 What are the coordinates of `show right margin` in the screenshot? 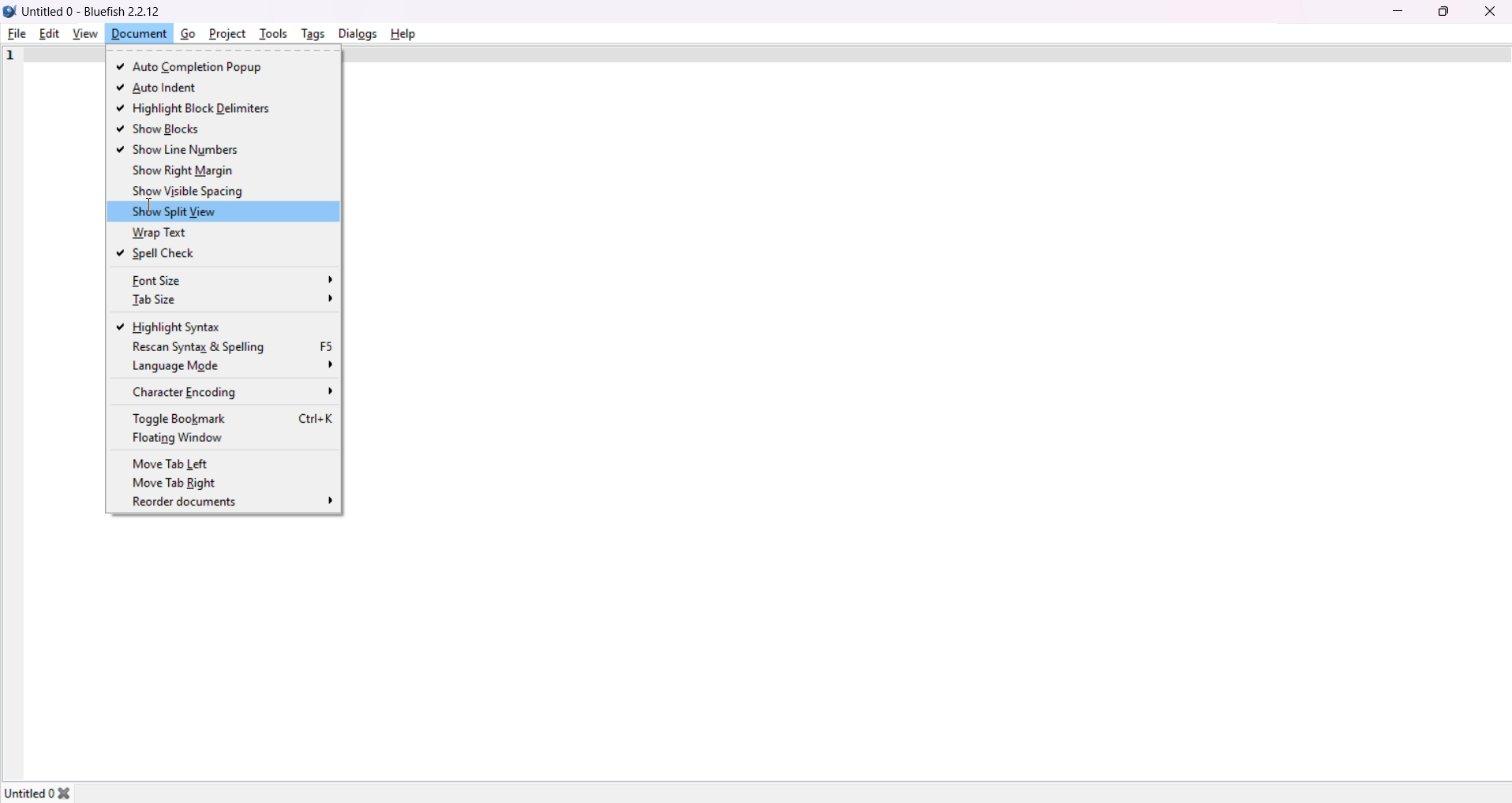 It's located at (183, 170).